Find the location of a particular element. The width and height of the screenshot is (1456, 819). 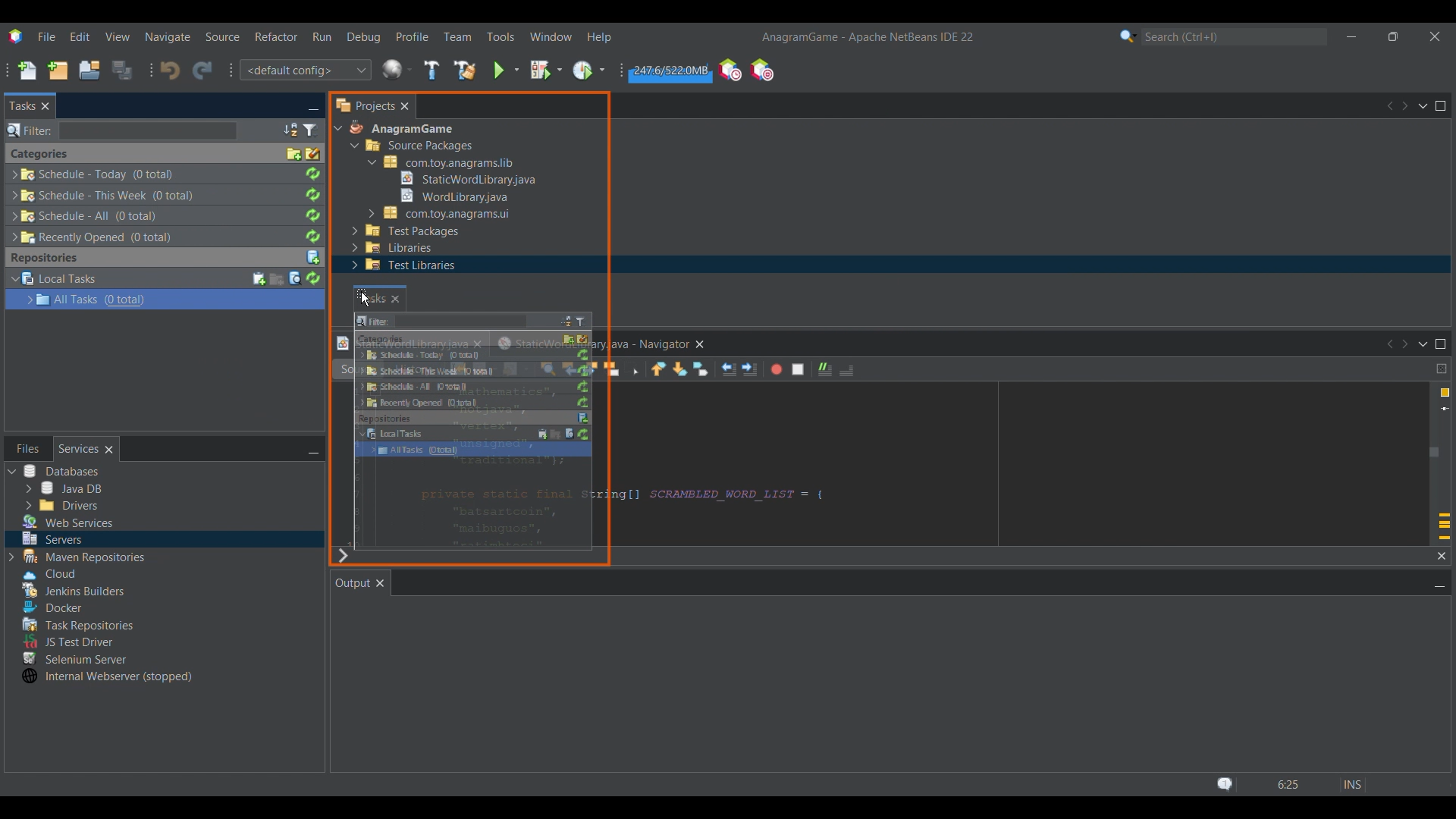

 is located at coordinates (379, 297).